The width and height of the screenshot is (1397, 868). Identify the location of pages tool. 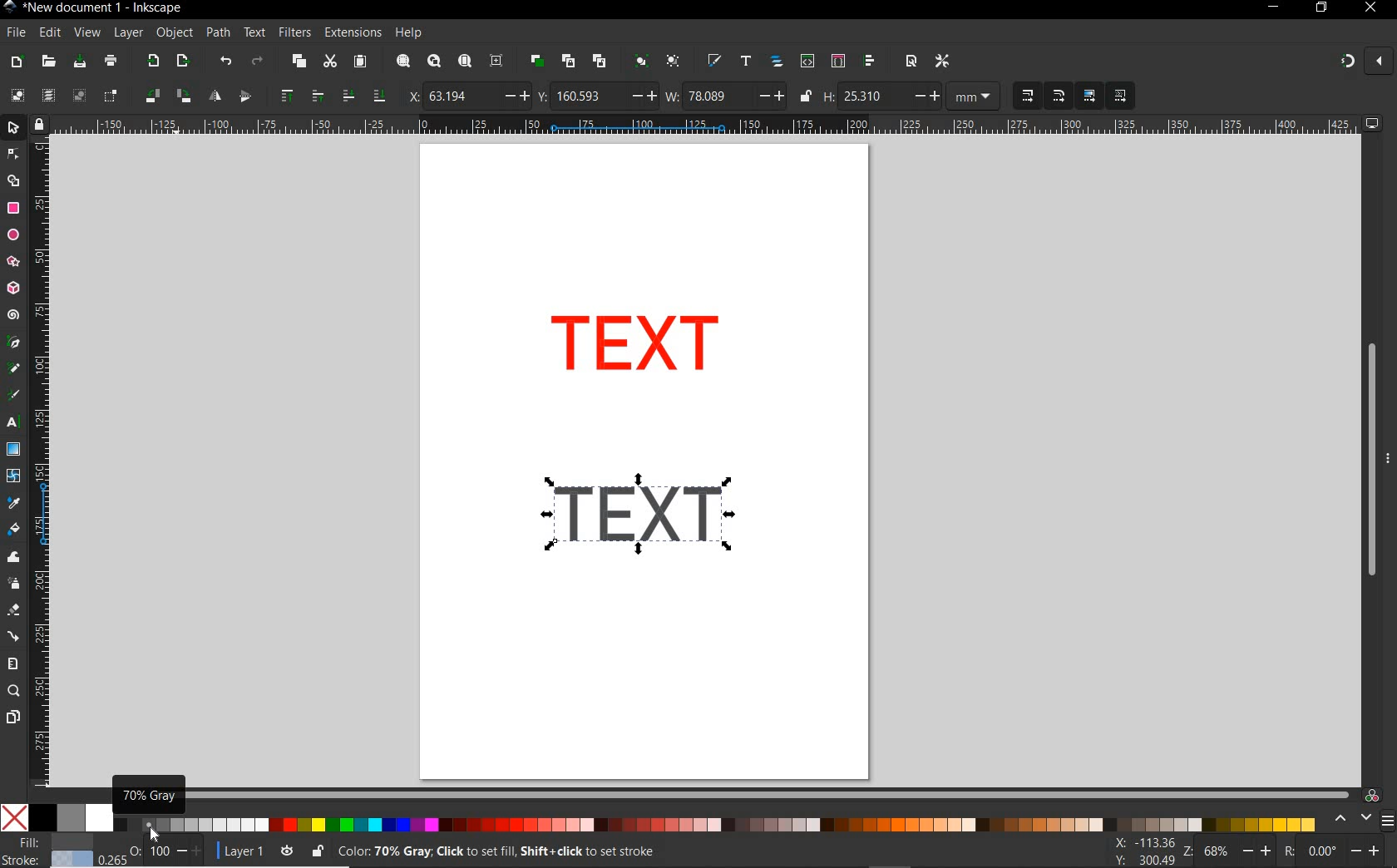
(12, 718).